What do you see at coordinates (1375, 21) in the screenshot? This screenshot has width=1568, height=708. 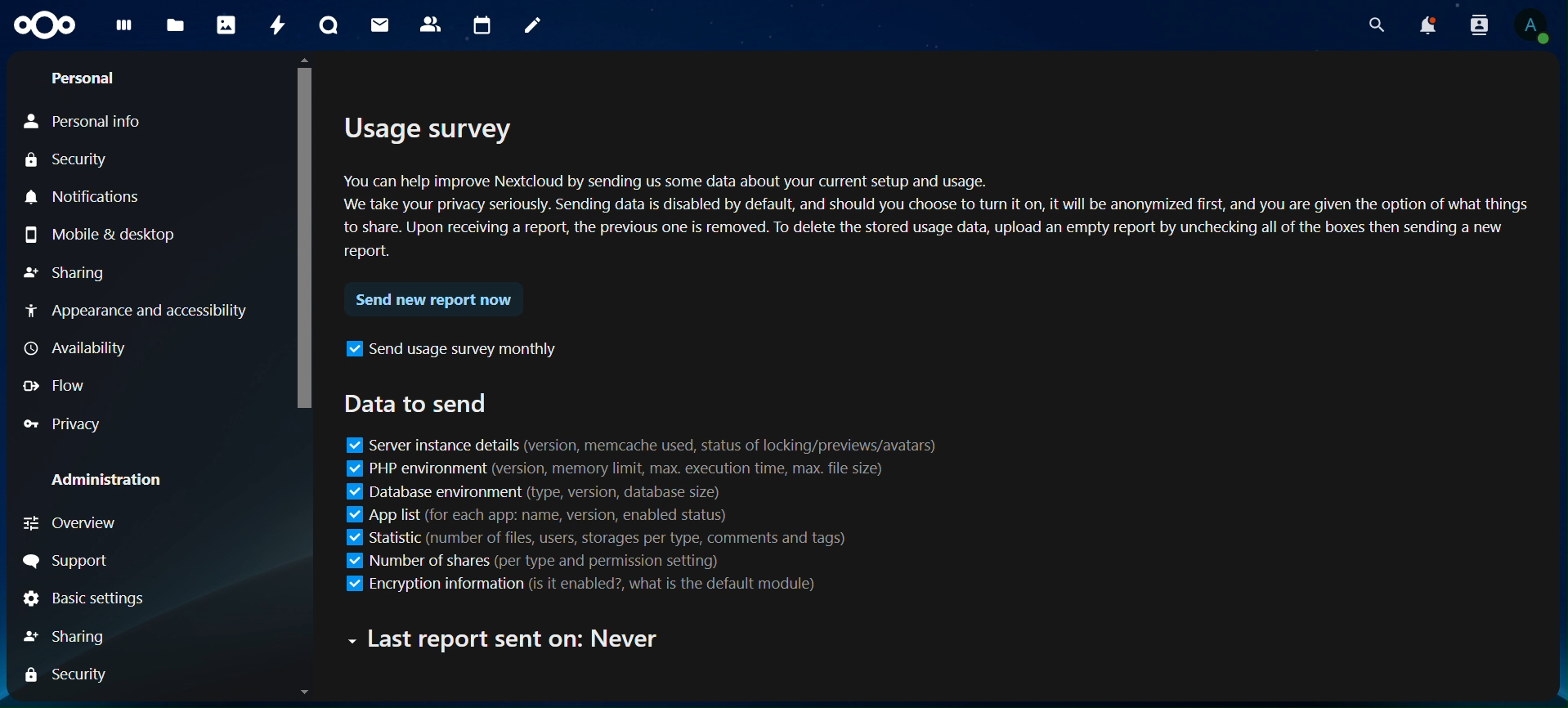 I see `search` at bounding box center [1375, 21].